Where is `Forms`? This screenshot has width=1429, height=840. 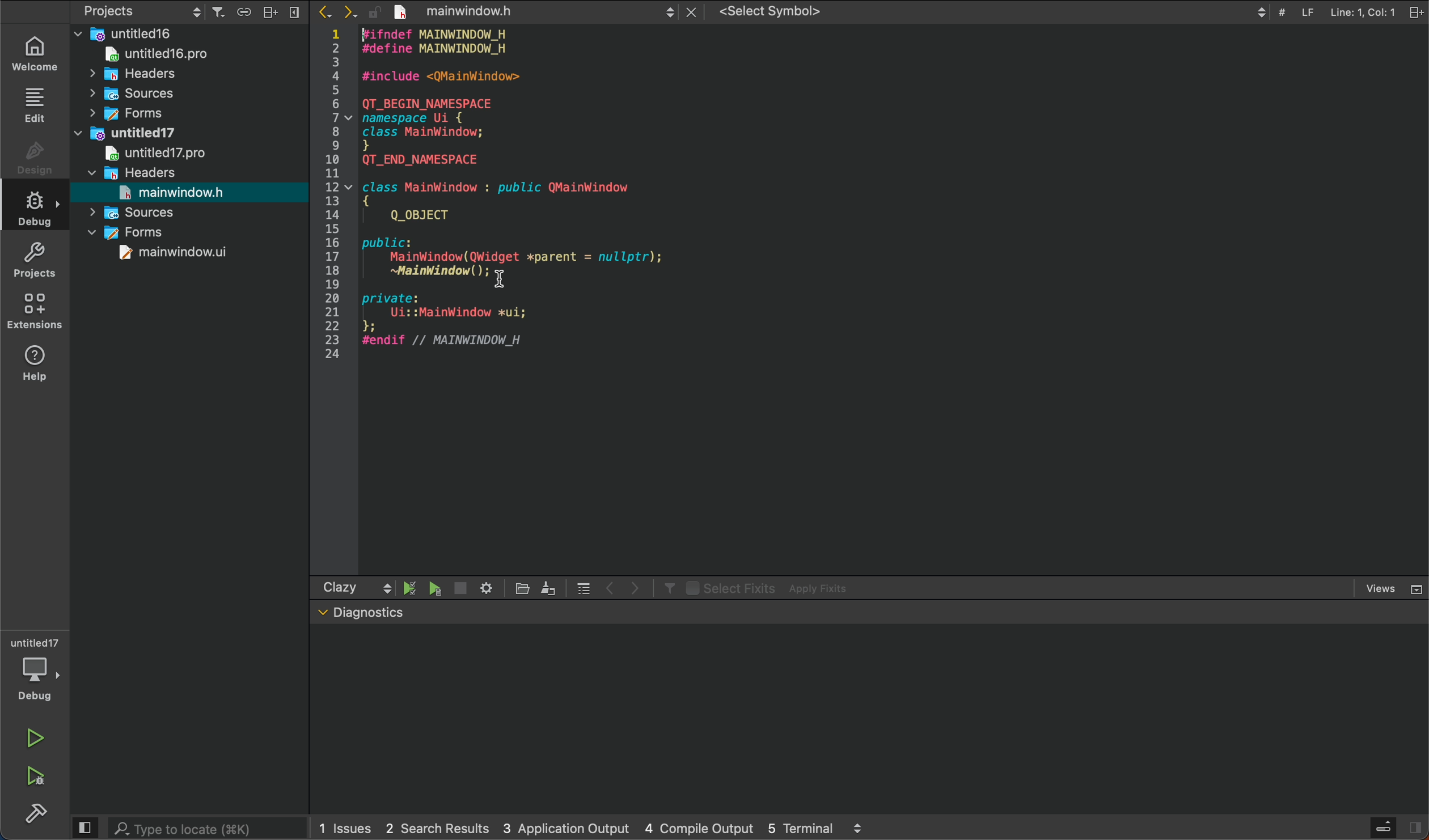
Forms is located at coordinates (123, 113).